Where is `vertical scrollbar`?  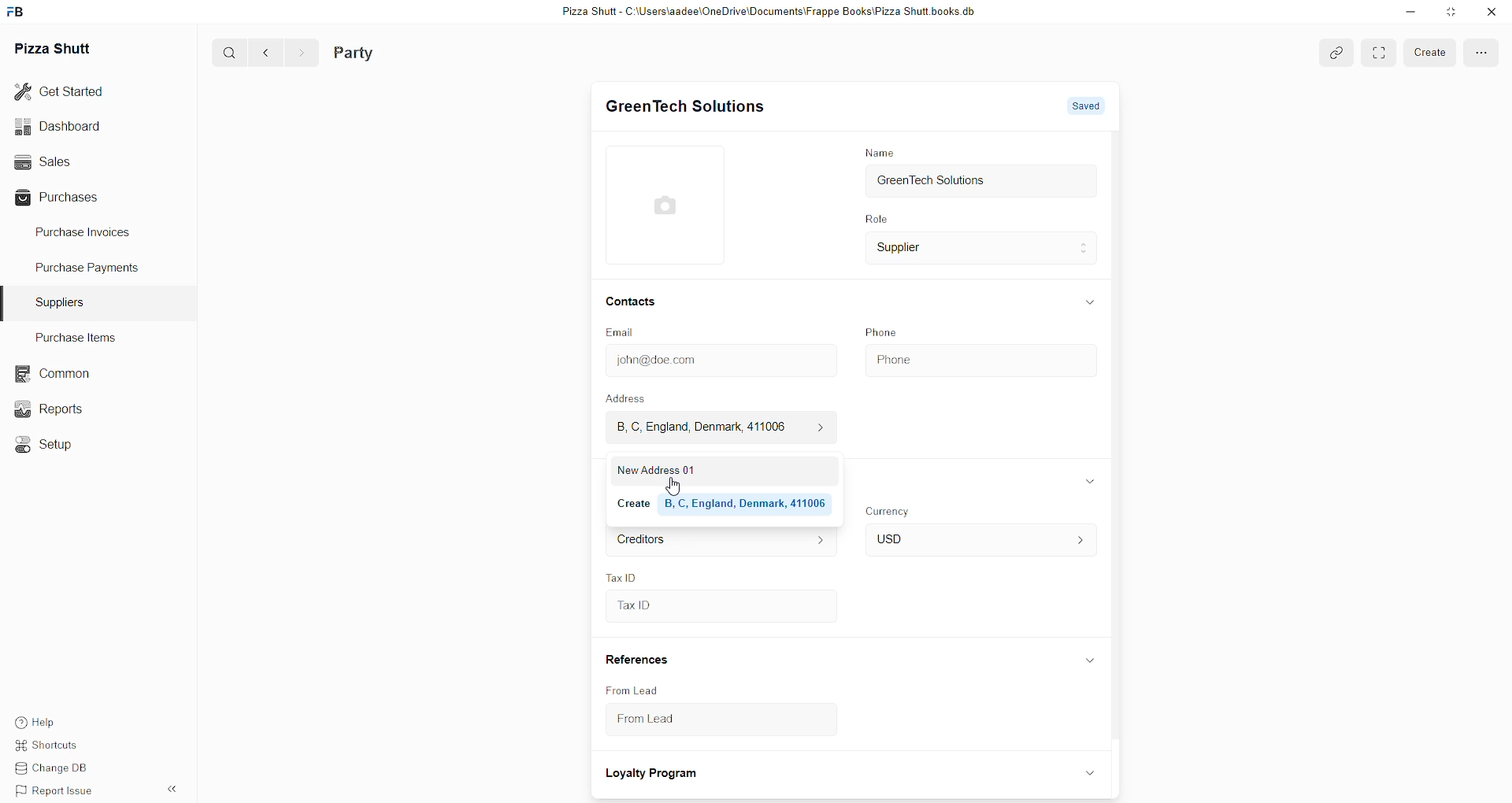
vertical scrollbar is located at coordinates (1119, 432).